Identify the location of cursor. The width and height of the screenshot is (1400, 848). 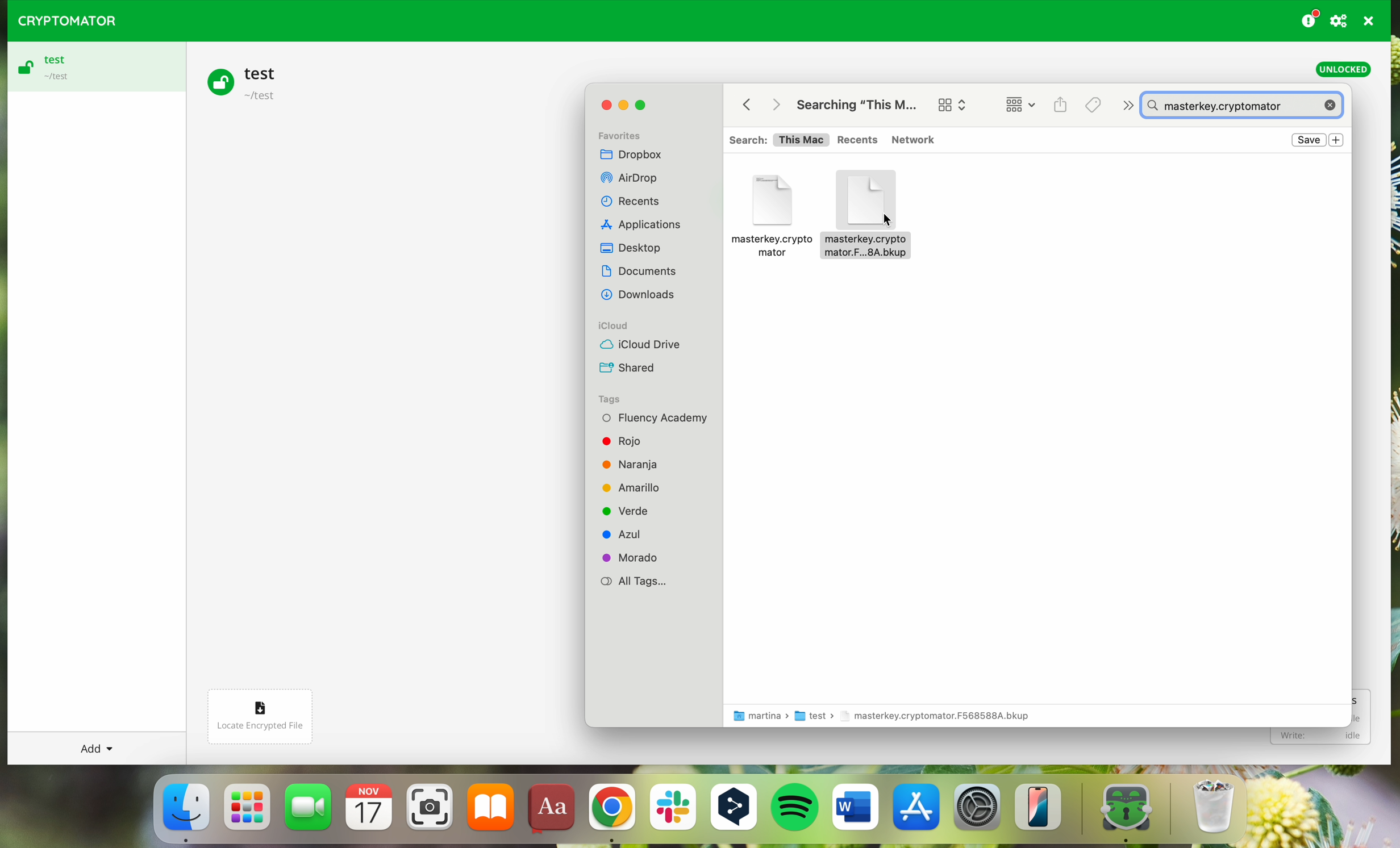
(888, 220).